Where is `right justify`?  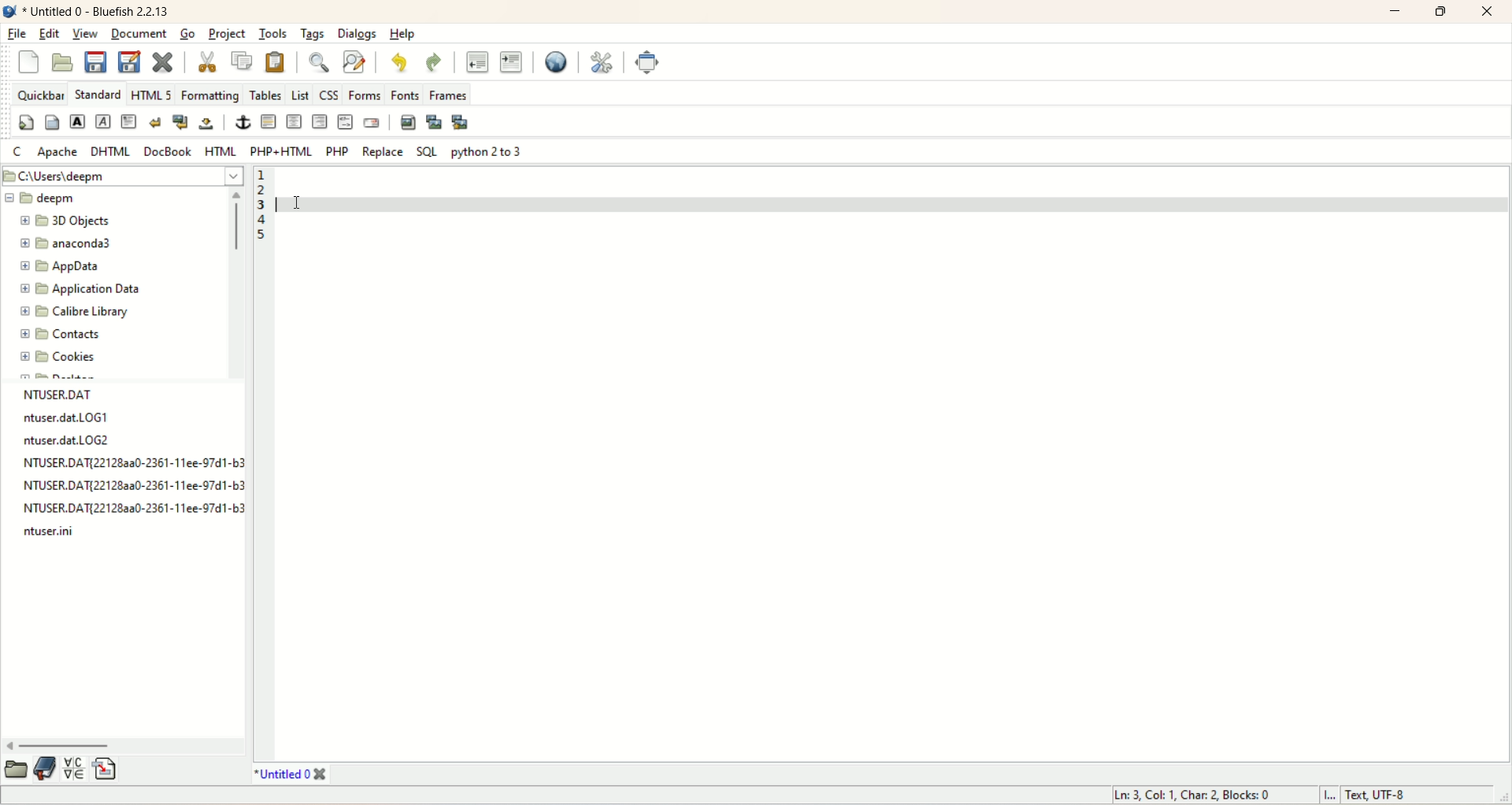
right justify is located at coordinates (319, 122).